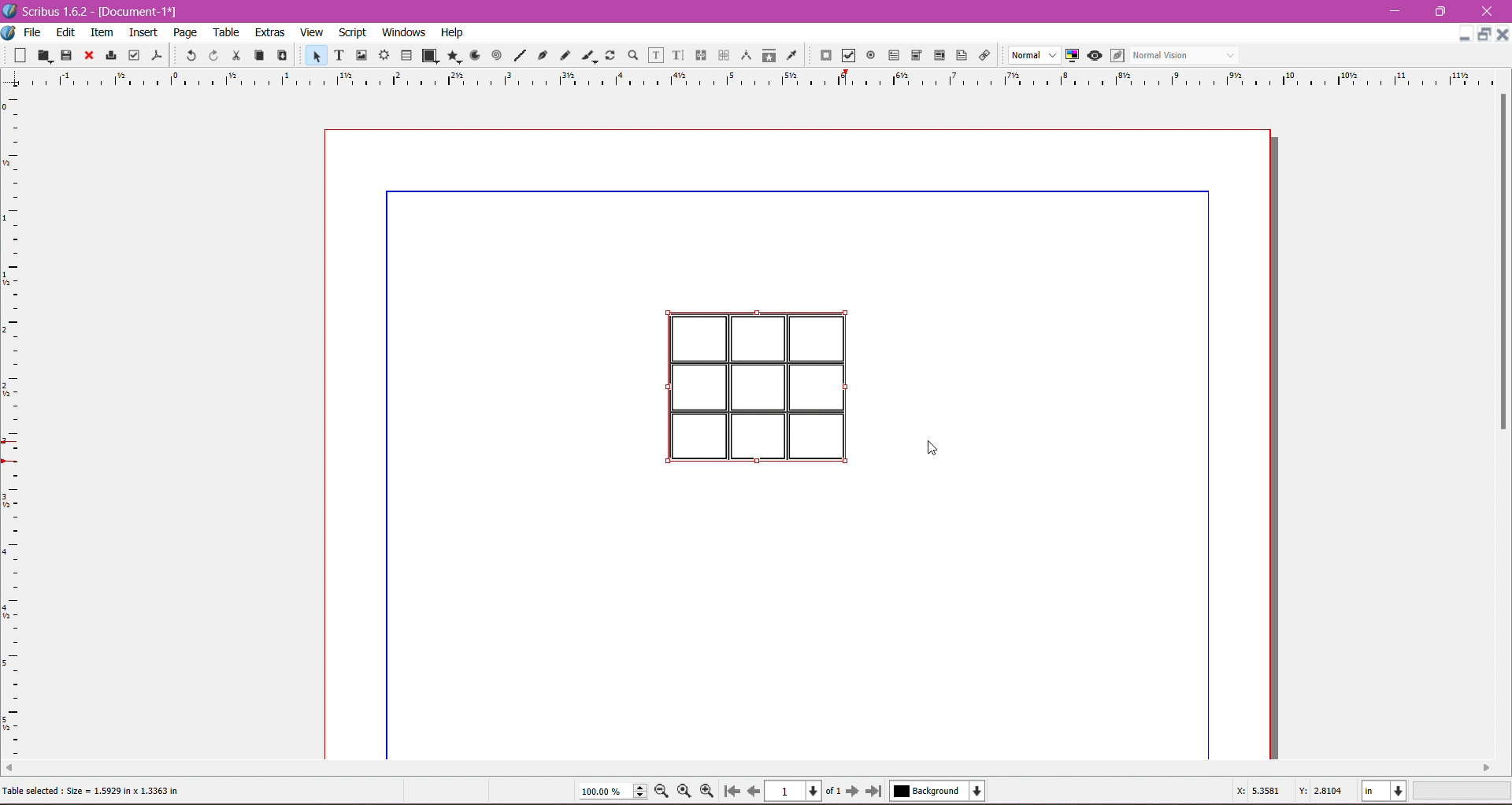 Image resolution: width=1512 pixels, height=805 pixels. Describe the element at coordinates (233, 54) in the screenshot. I see `Cut` at that location.